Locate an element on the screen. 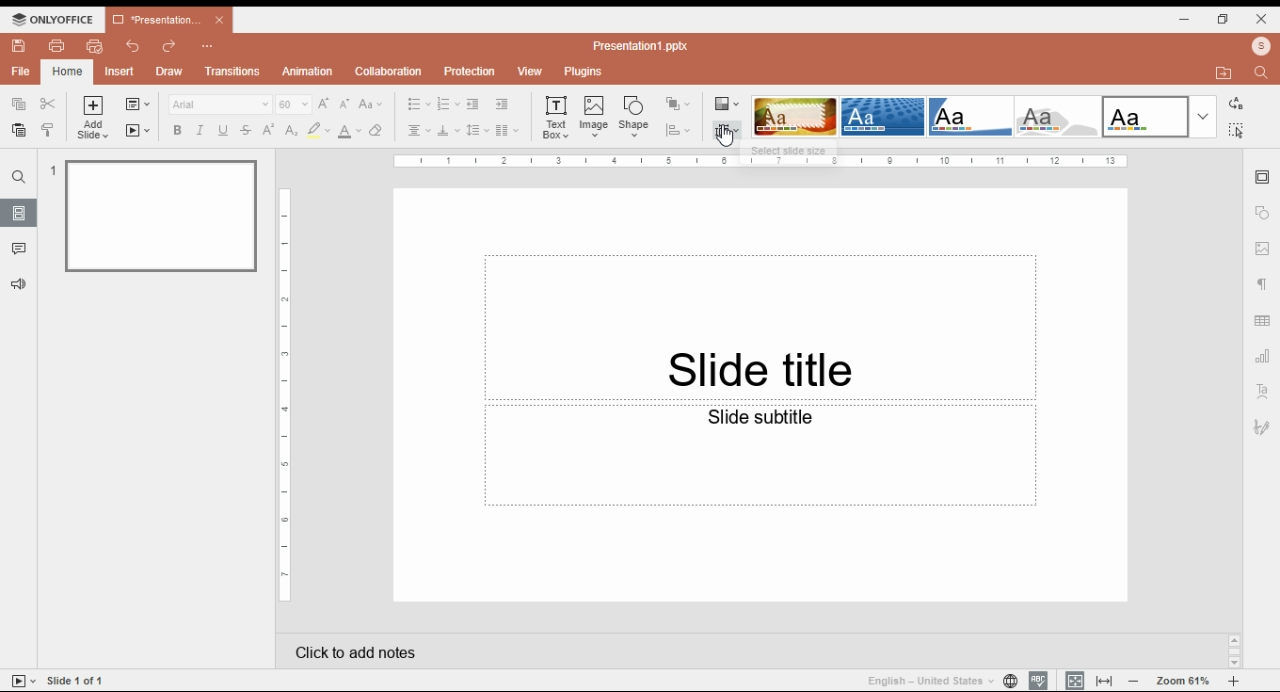 This screenshot has height=692, width=1280. numbering is located at coordinates (448, 105).